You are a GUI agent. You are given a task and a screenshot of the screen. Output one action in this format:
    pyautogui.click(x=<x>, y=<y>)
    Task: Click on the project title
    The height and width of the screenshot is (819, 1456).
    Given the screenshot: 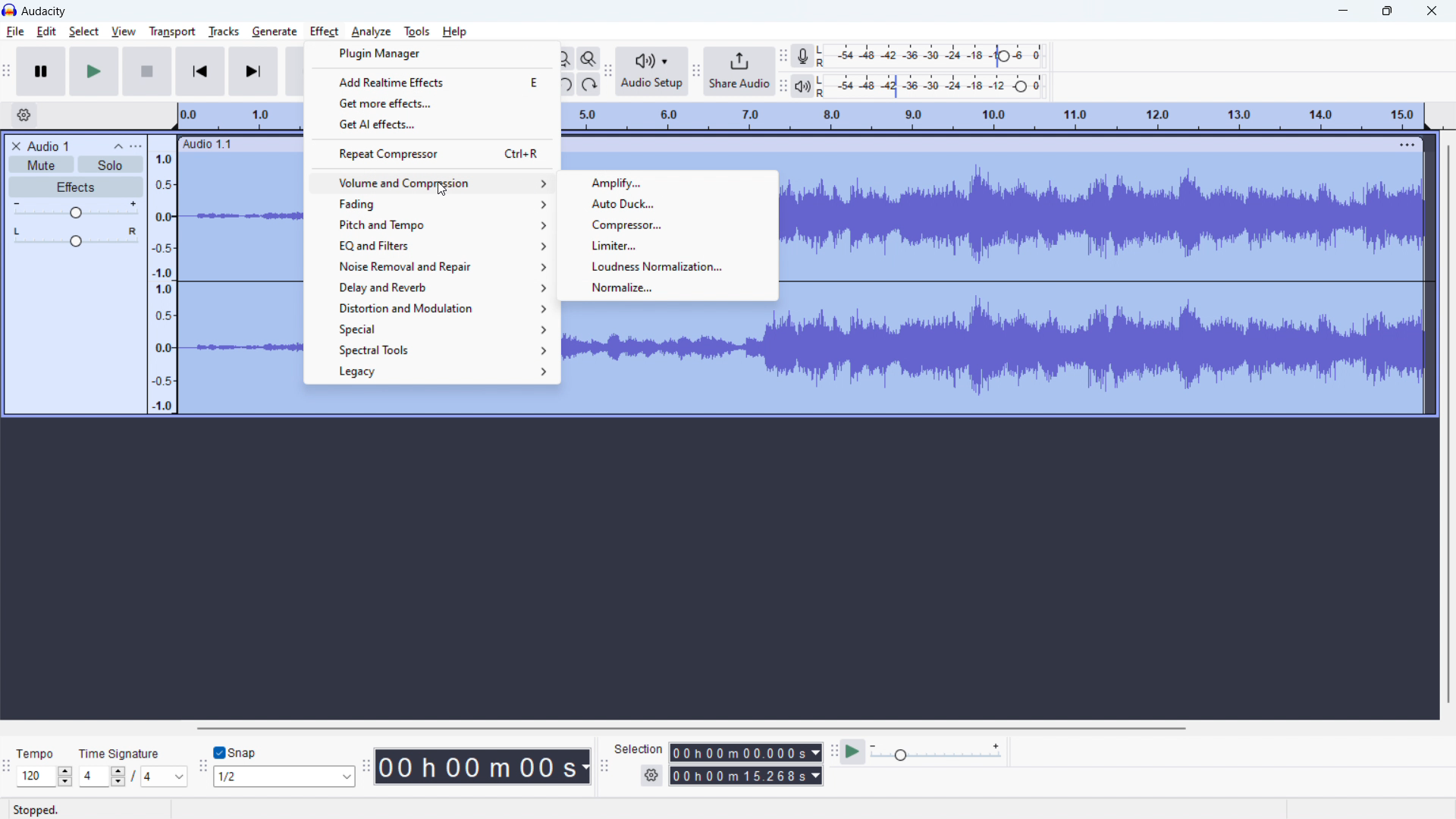 What is the action you would take?
    pyautogui.click(x=48, y=146)
    